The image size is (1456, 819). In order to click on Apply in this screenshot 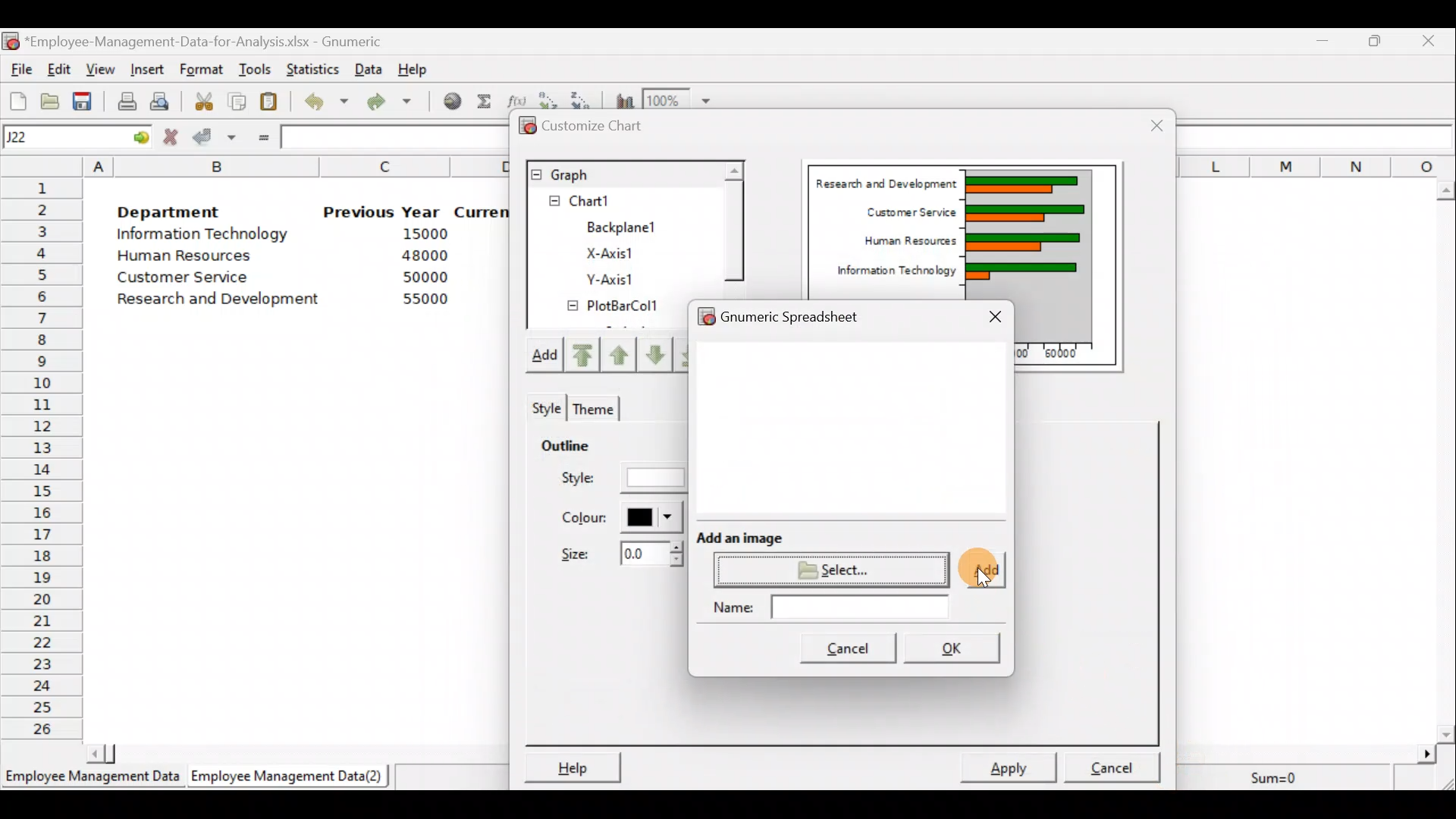, I will do `click(1012, 767)`.